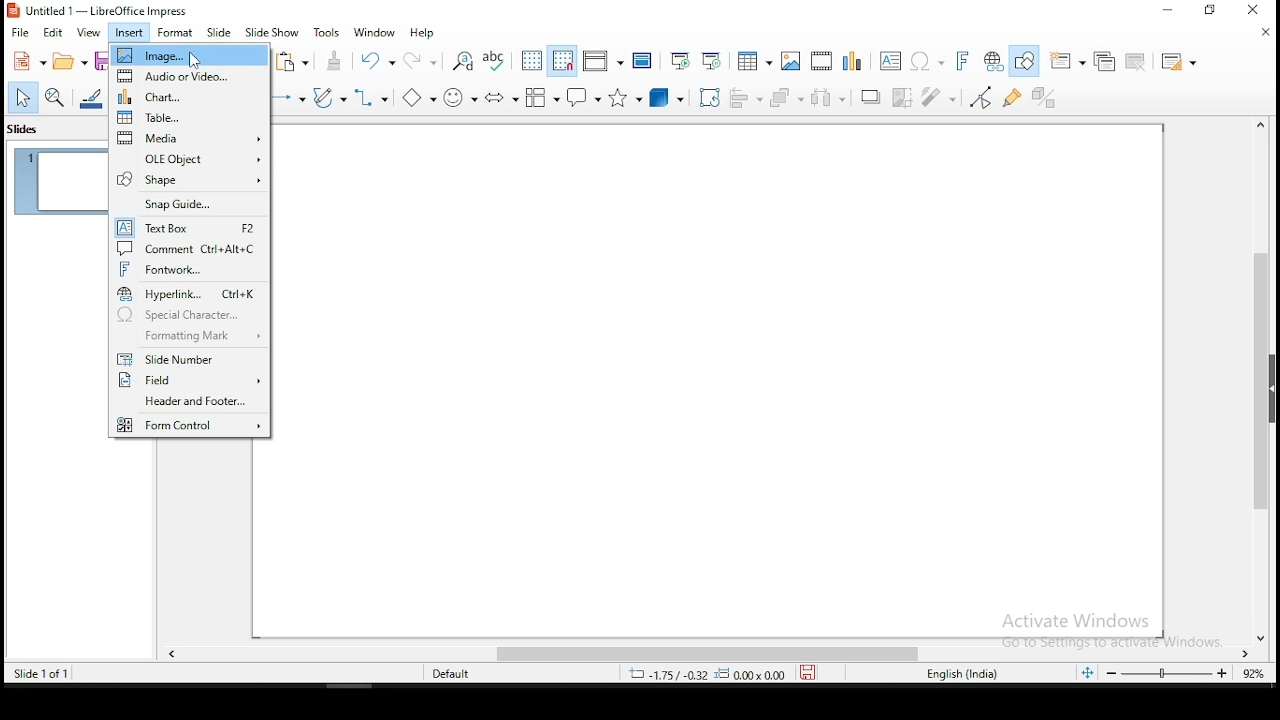  What do you see at coordinates (825, 98) in the screenshot?
I see `distribute` at bounding box center [825, 98].